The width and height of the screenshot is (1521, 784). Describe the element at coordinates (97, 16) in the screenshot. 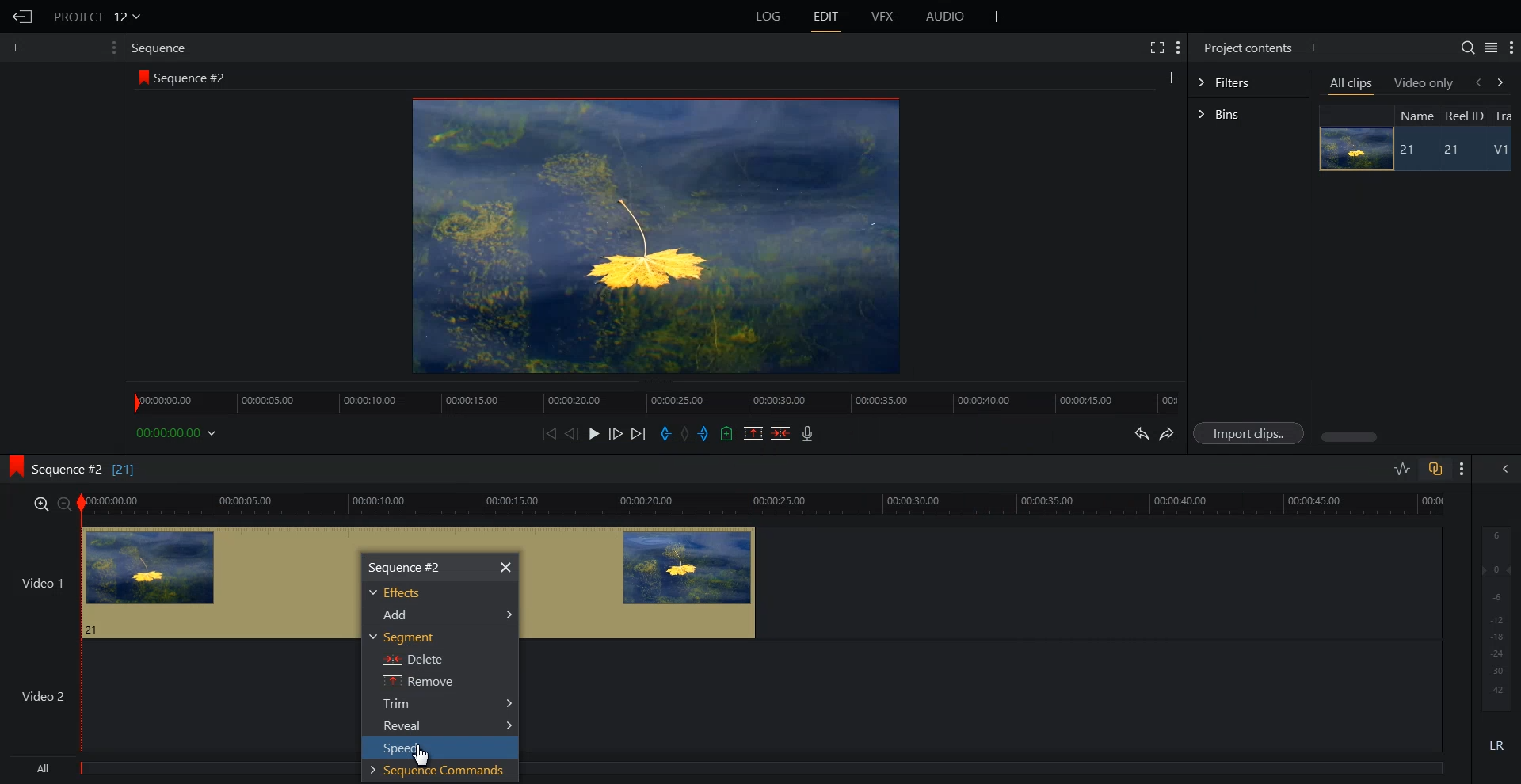

I see `PROJECT 12` at that location.